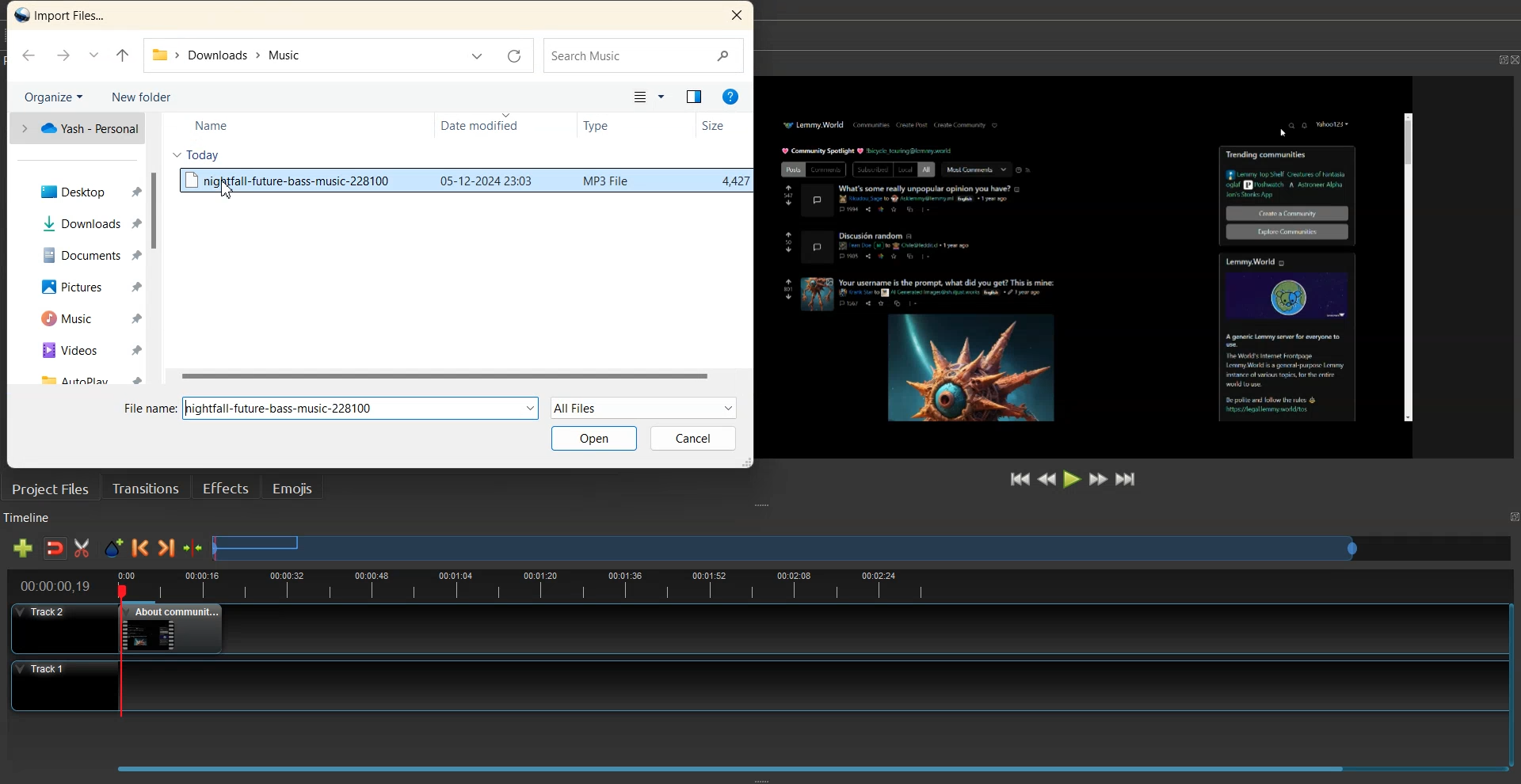 This screenshot has height=784, width=1521. What do you see at coordinates (492, 125) in the screenshot?
I see `Date modified` at bounding box center [492, 125].